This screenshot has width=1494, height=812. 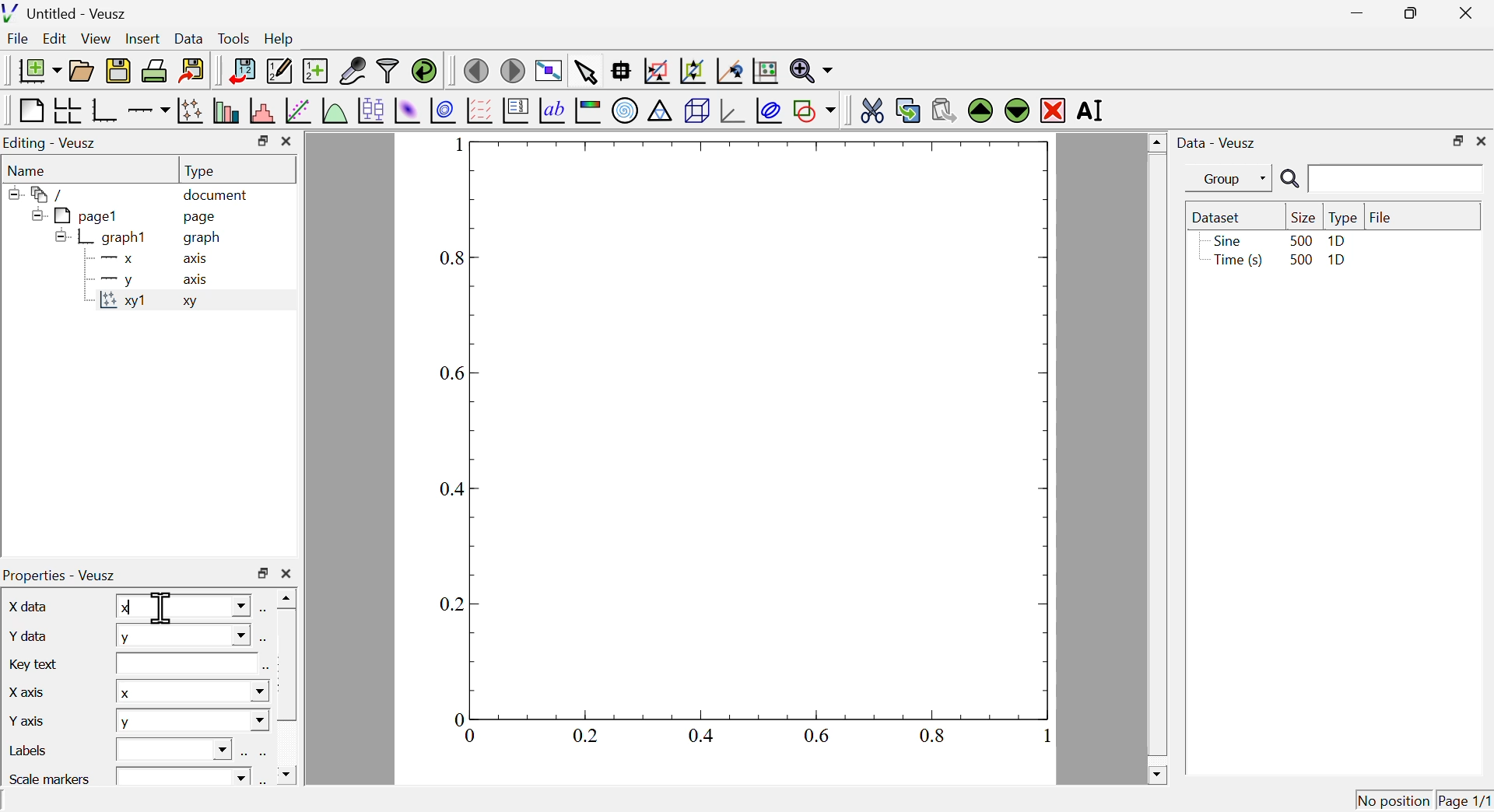 I want to click on maximize, so click(x=262, y=574).